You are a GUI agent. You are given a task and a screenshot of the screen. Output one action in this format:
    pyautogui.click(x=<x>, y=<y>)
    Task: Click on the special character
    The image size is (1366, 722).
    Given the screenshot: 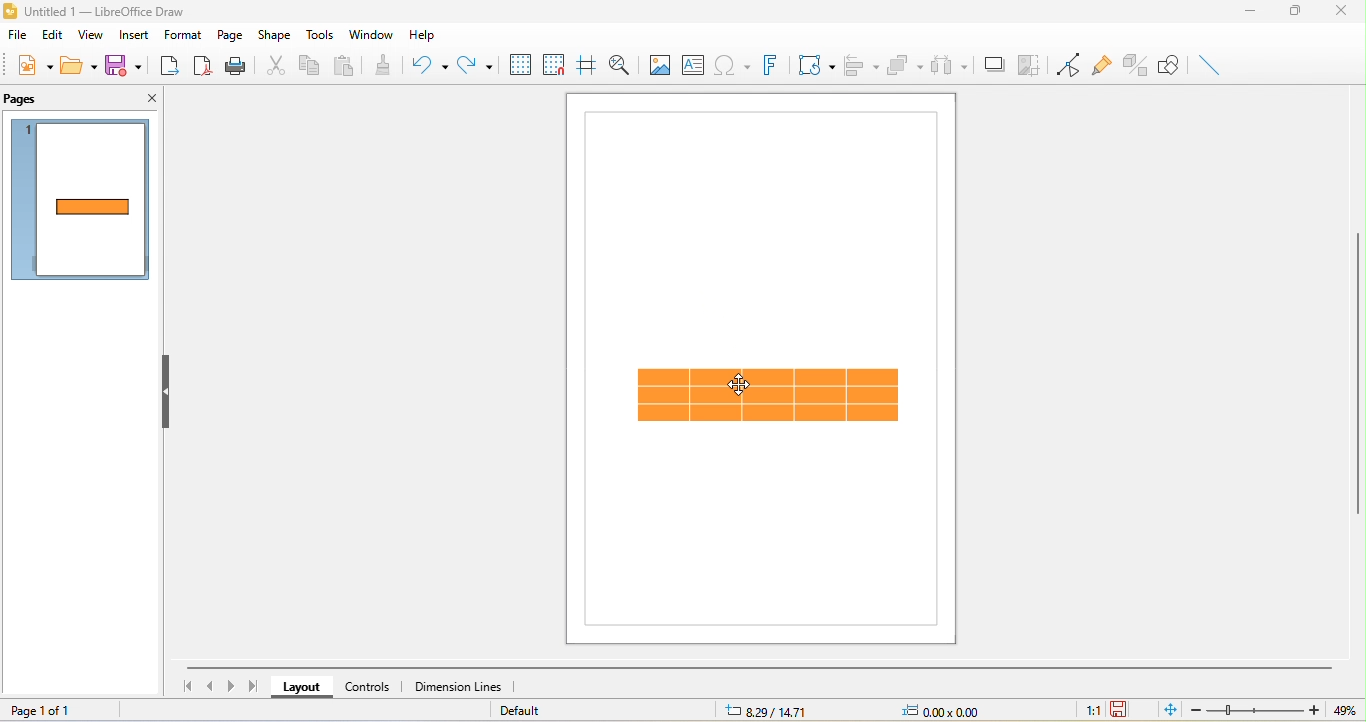 What is the action you would take?
    pyautogui.click(x=732, y=65)
    